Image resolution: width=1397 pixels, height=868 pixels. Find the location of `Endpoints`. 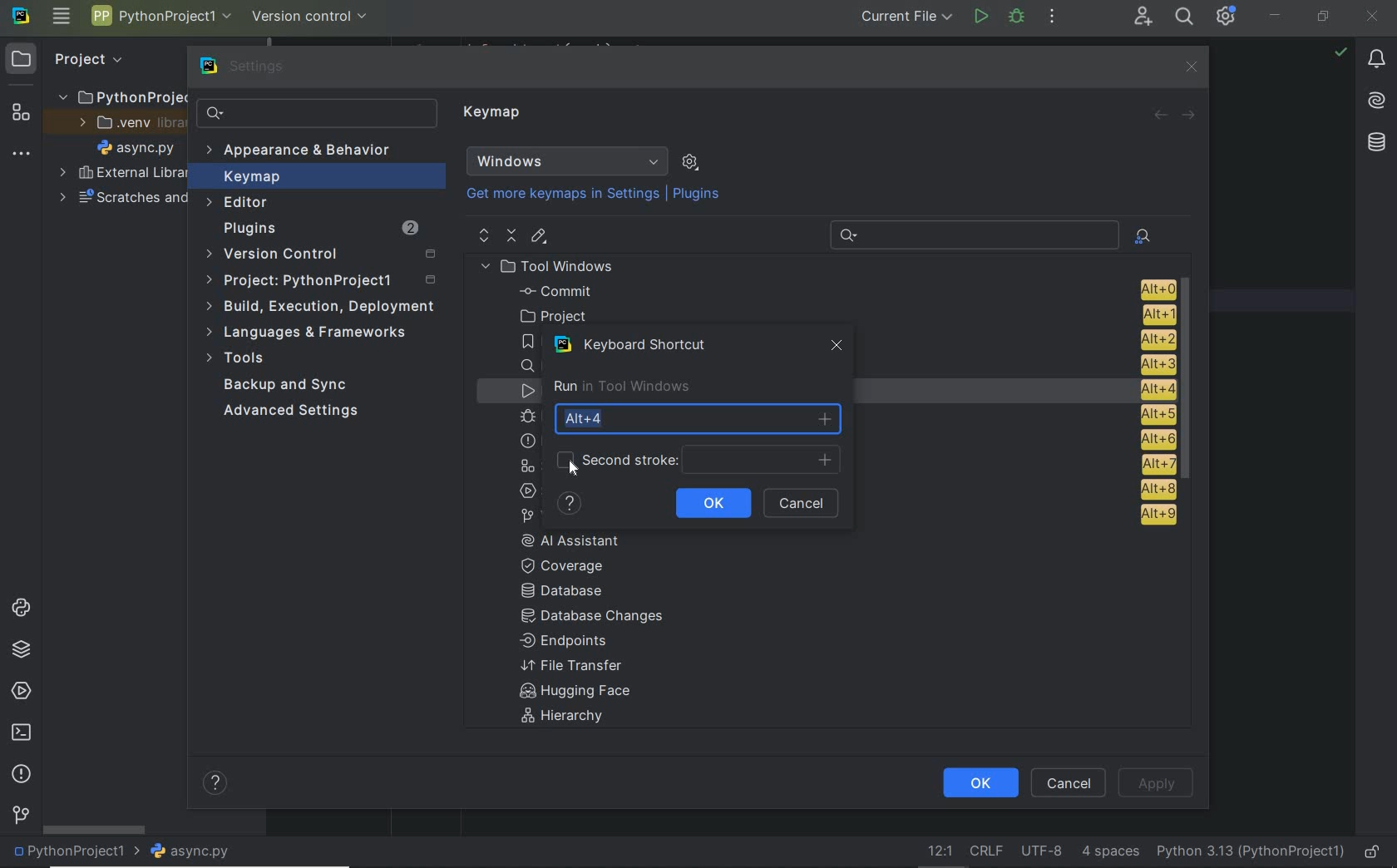

Endpoints is located at coordinates (565, 642).